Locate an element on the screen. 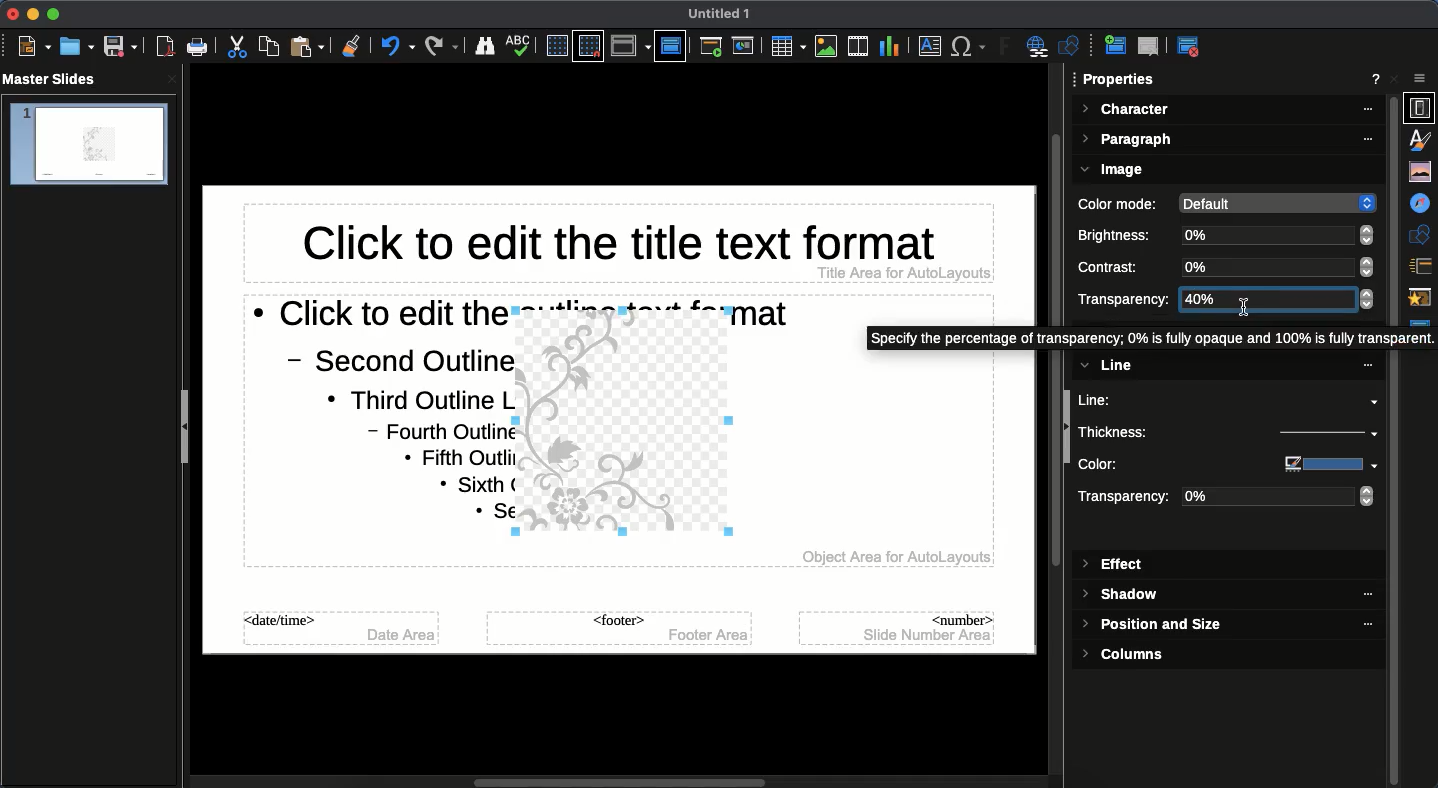 This screenshot has width=1438, height=788. Position and size is located at coordinates (1155, 627).